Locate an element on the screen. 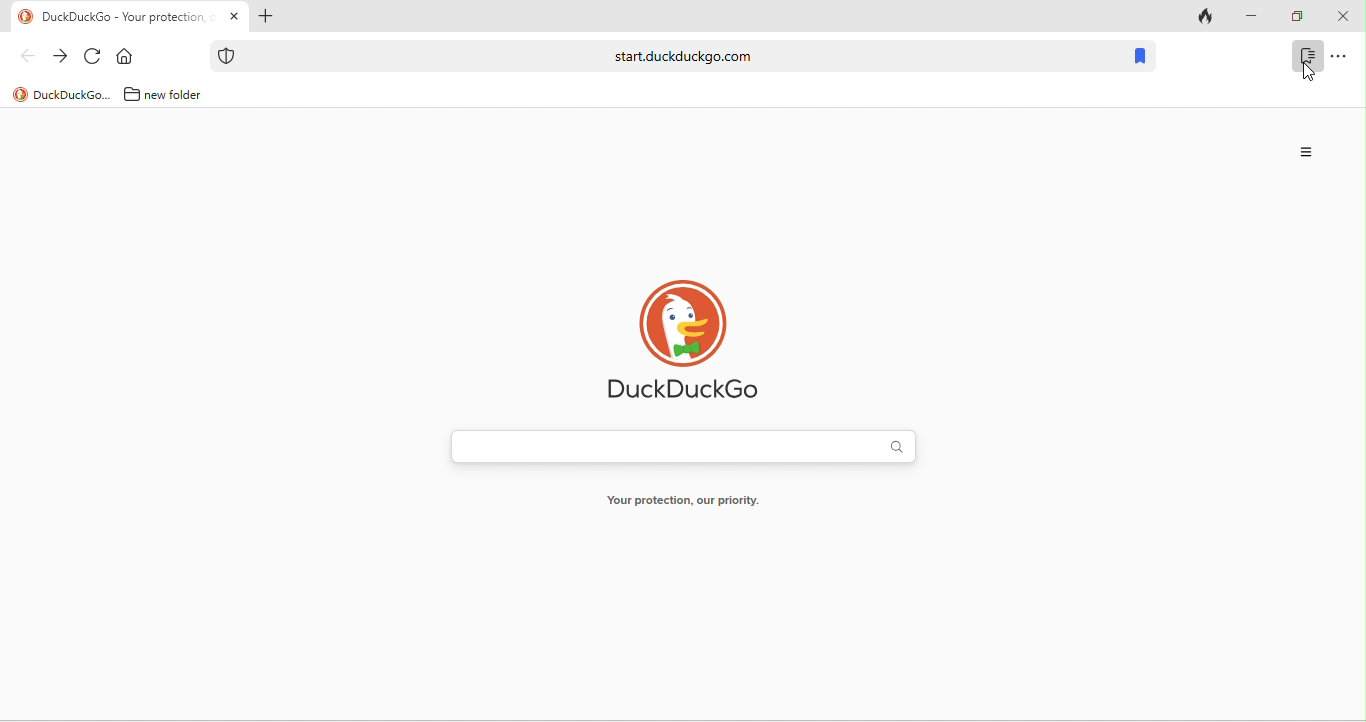 This screenshot has width=1366, height=722. duck duck go logo is located at coordinates (684, 344).